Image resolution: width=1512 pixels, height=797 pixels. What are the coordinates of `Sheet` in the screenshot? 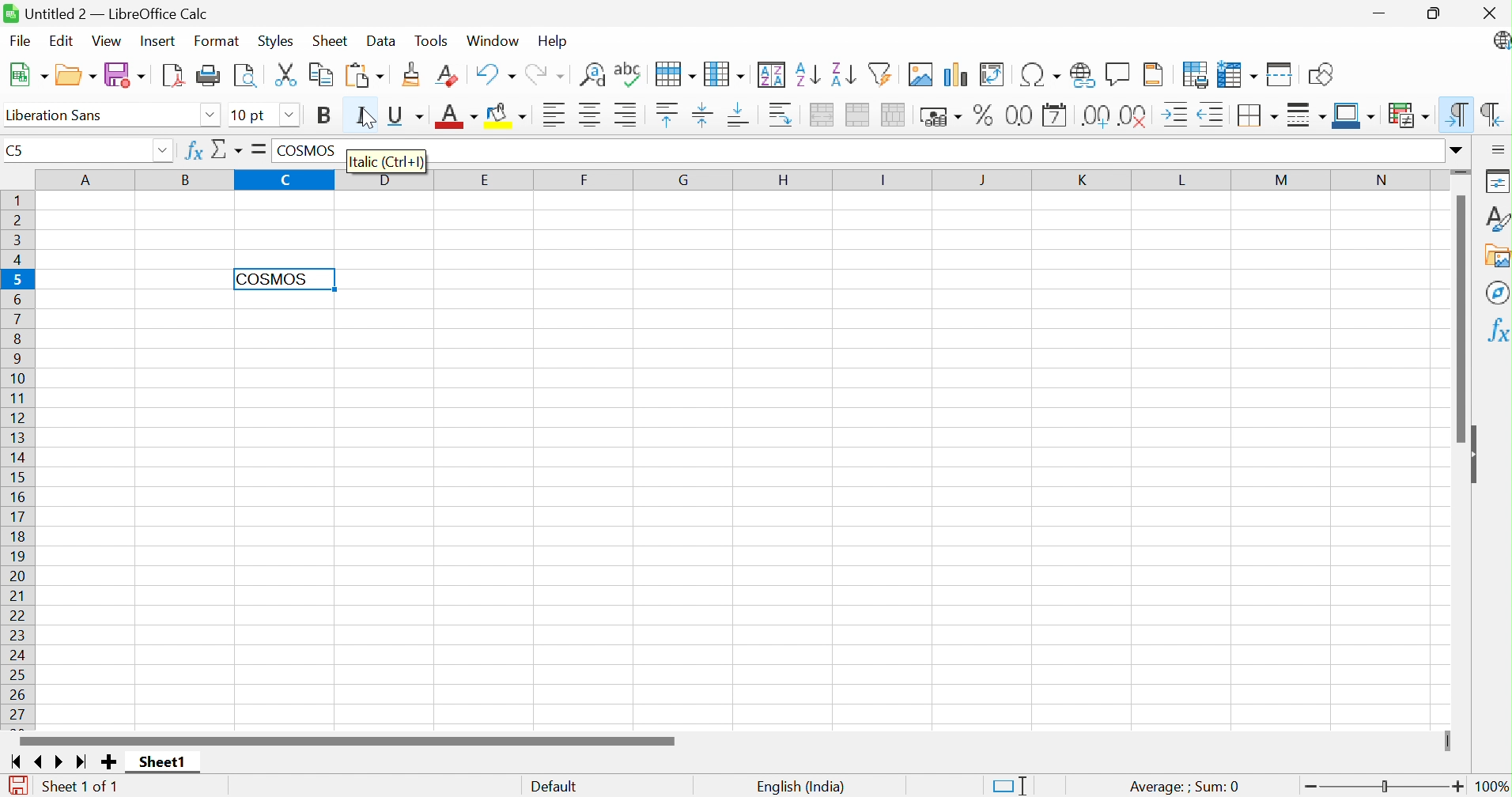 It's located at (333, 40).